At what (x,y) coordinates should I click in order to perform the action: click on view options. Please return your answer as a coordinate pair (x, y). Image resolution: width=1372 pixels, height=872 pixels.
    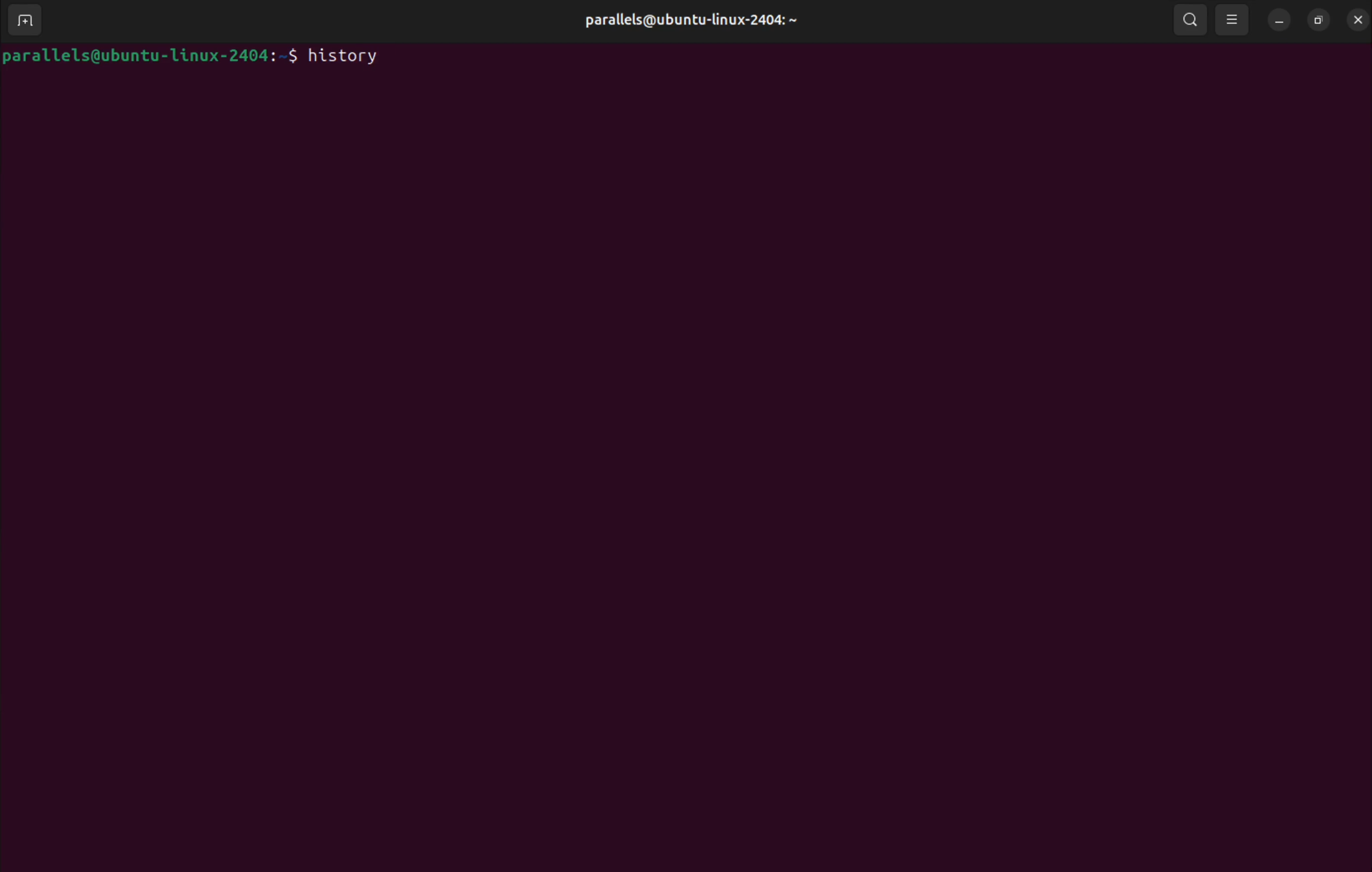
    Looking at the image, I should click on (1234, 19).